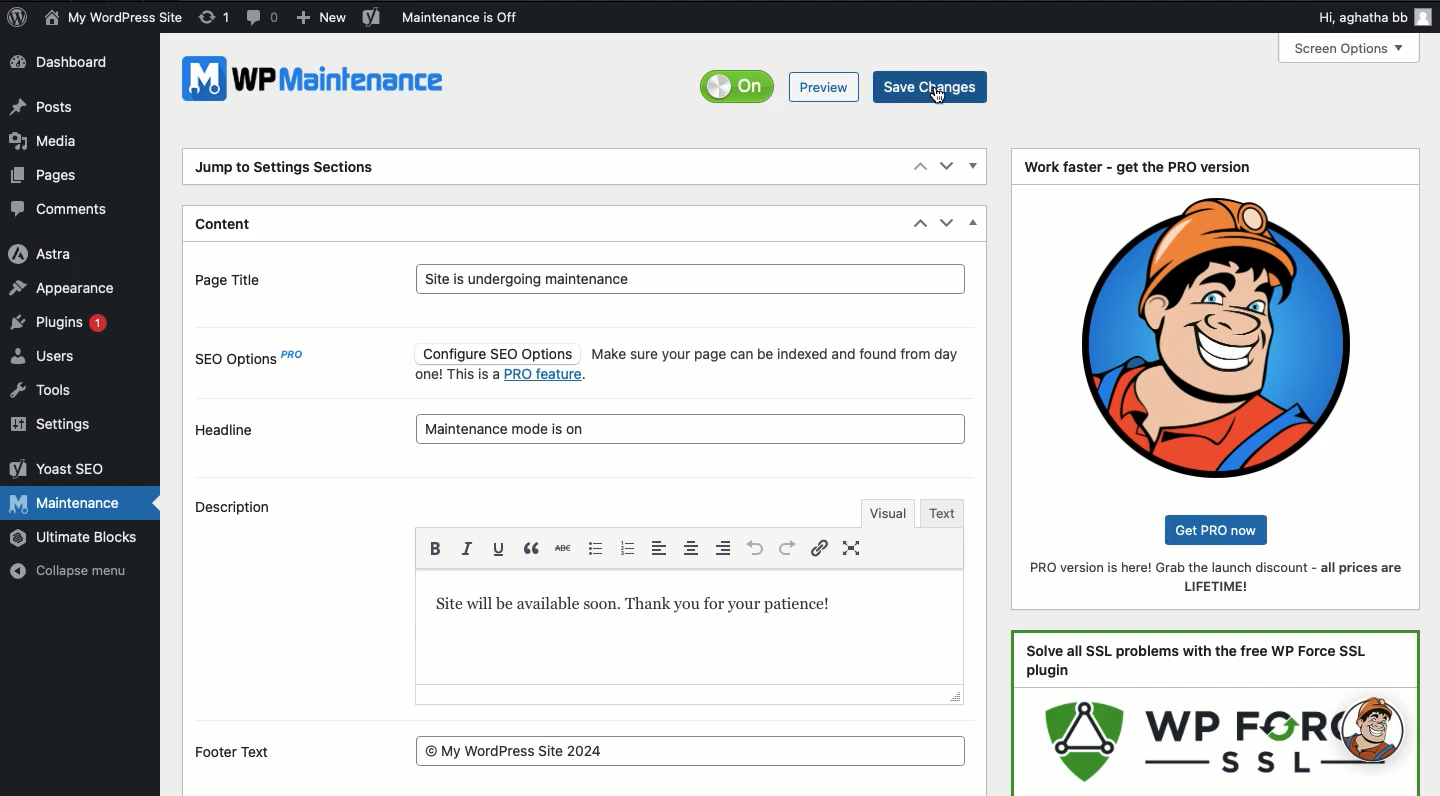  Describe the element at coordinates (1222, 529) in the screenshot. I see `get pro now` at that location.